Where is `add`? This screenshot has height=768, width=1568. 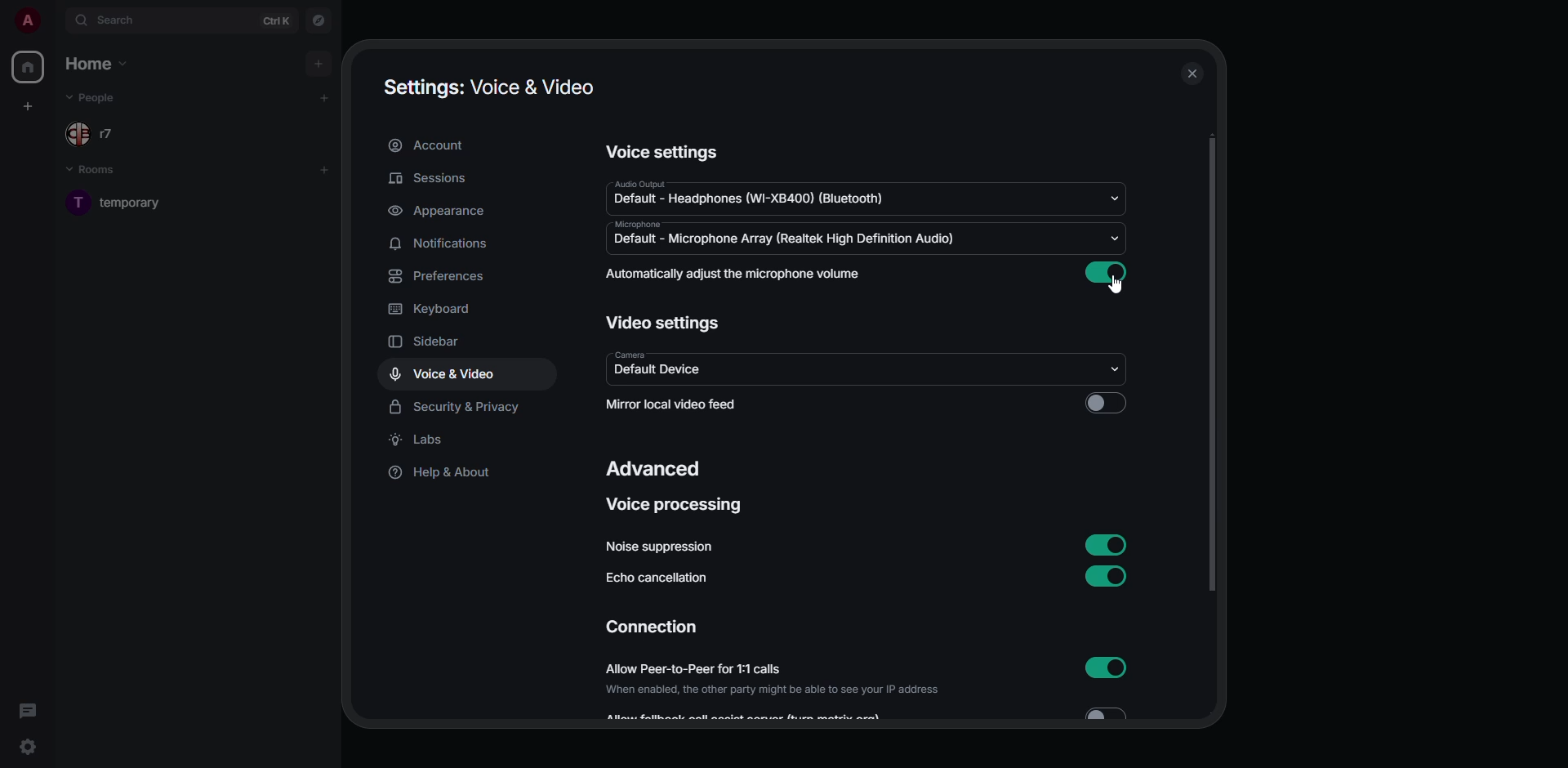 add is located at coordinates (318, 61).